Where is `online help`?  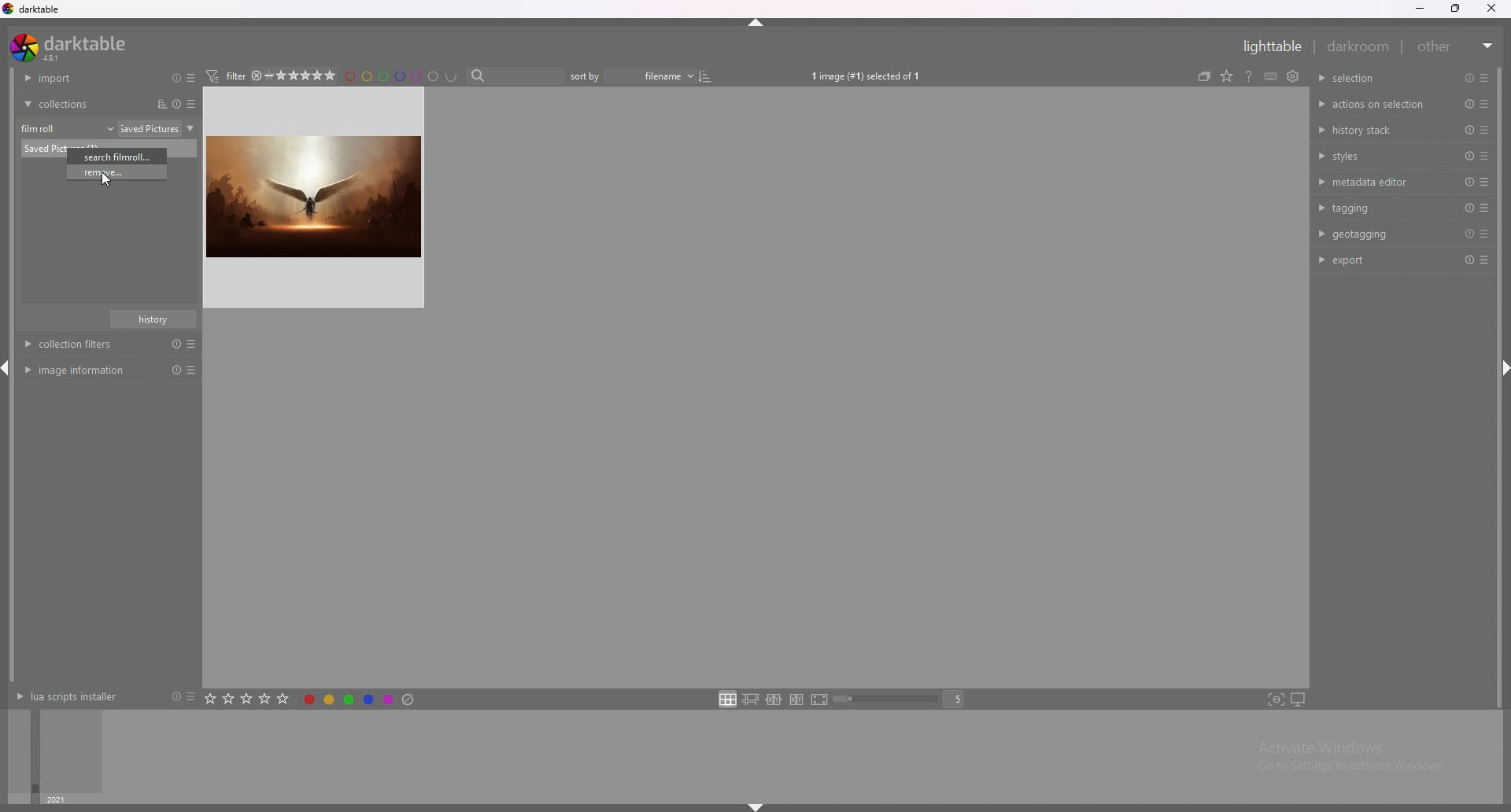
online help is located at coordinates (1269, 76).